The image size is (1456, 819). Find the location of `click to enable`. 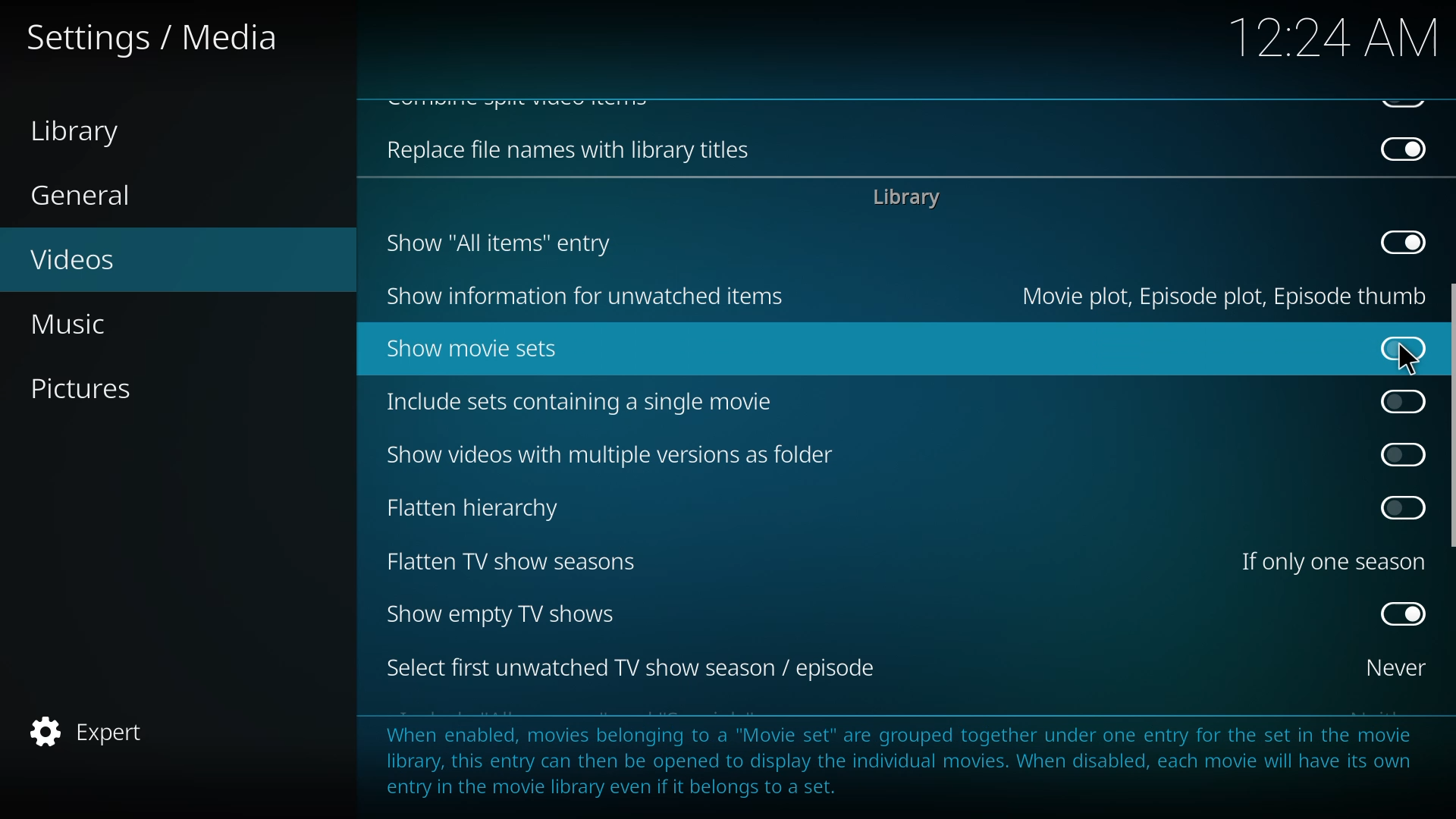

click to enable is located at coordinates (1401, 400).